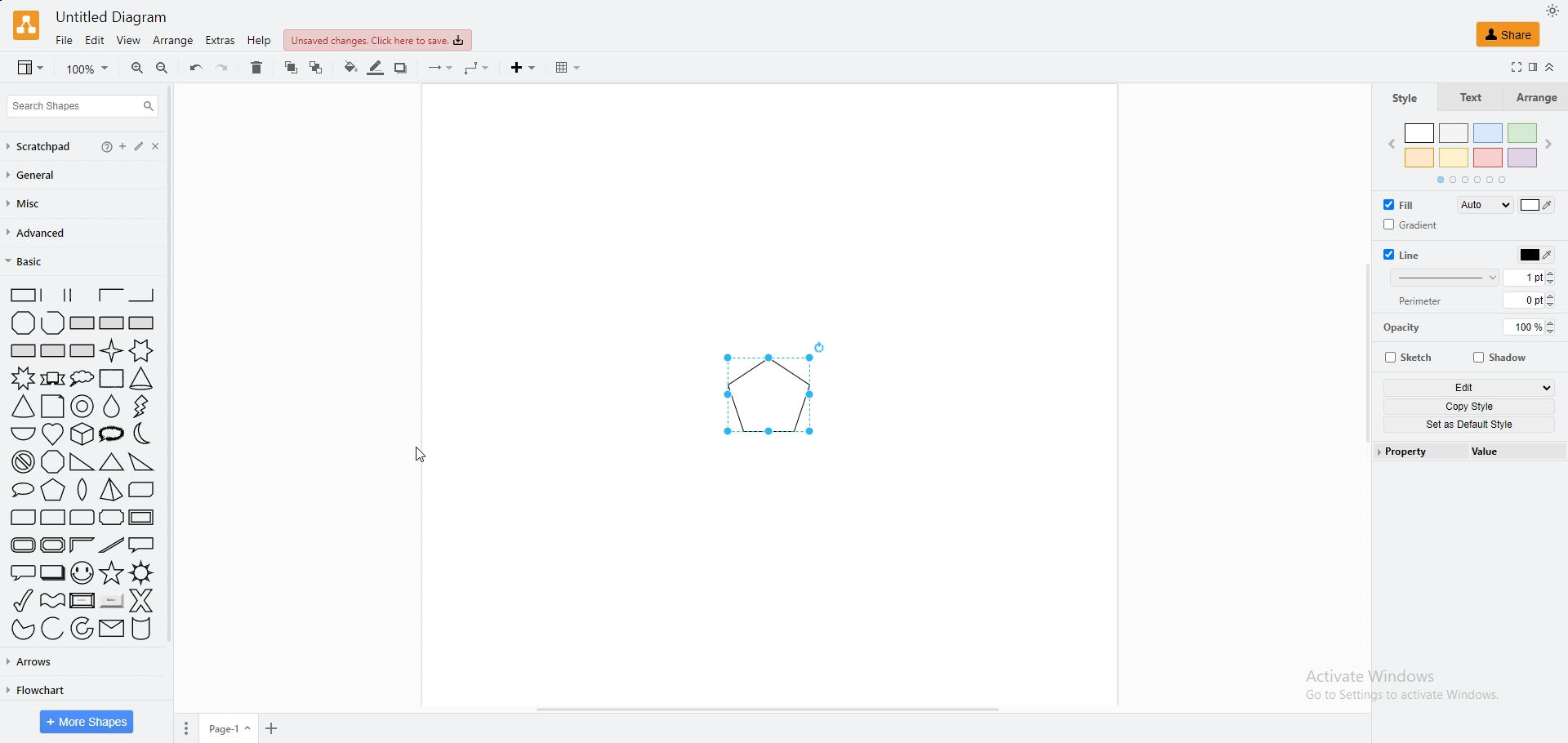 This screenshot has width=1568, height=743. Describe the element at coordinates (82, 378) in the screenshot. I see `cloud callout` at that location.